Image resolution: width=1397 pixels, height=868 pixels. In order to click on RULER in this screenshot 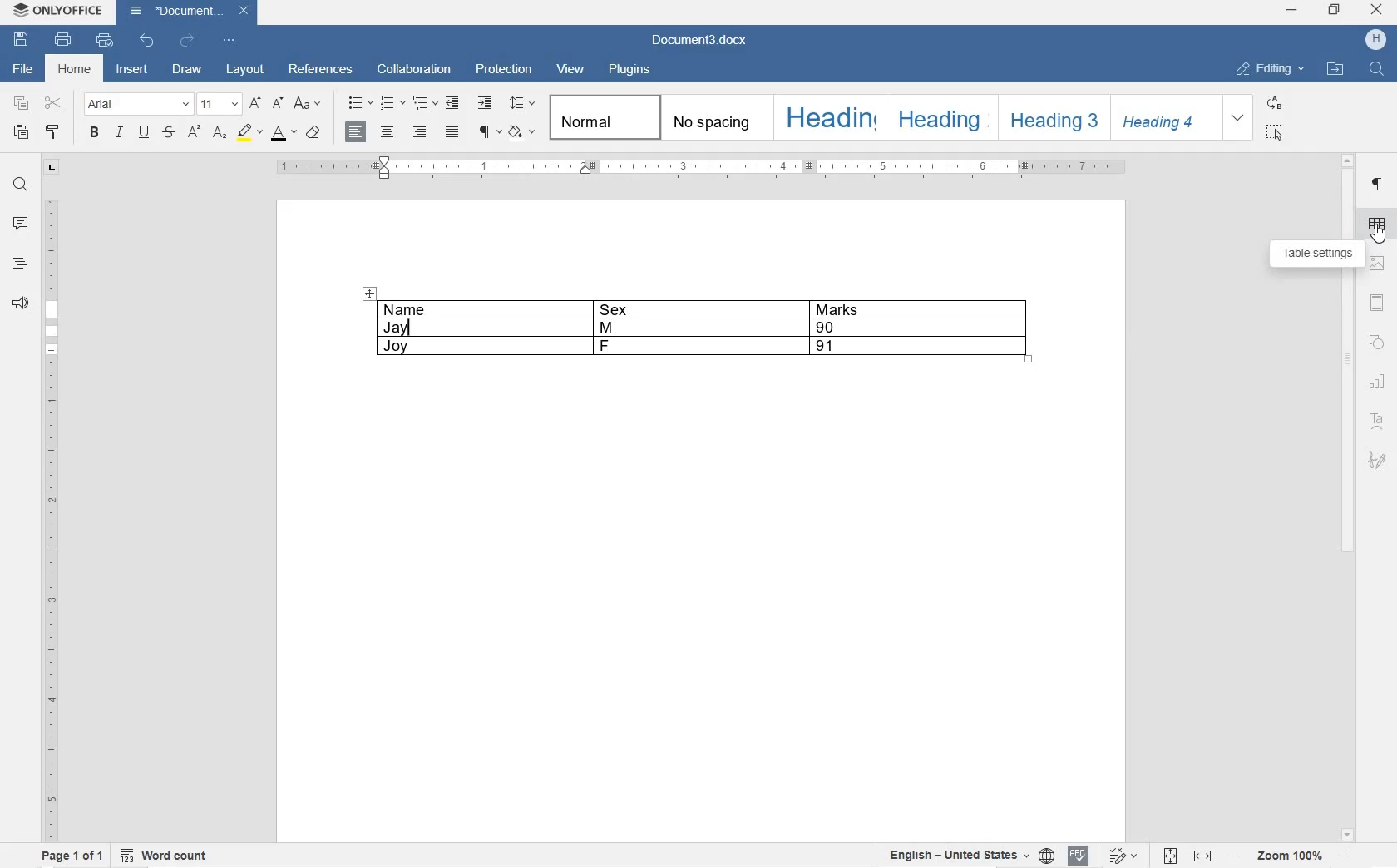, I will do `click(49, 517)`.